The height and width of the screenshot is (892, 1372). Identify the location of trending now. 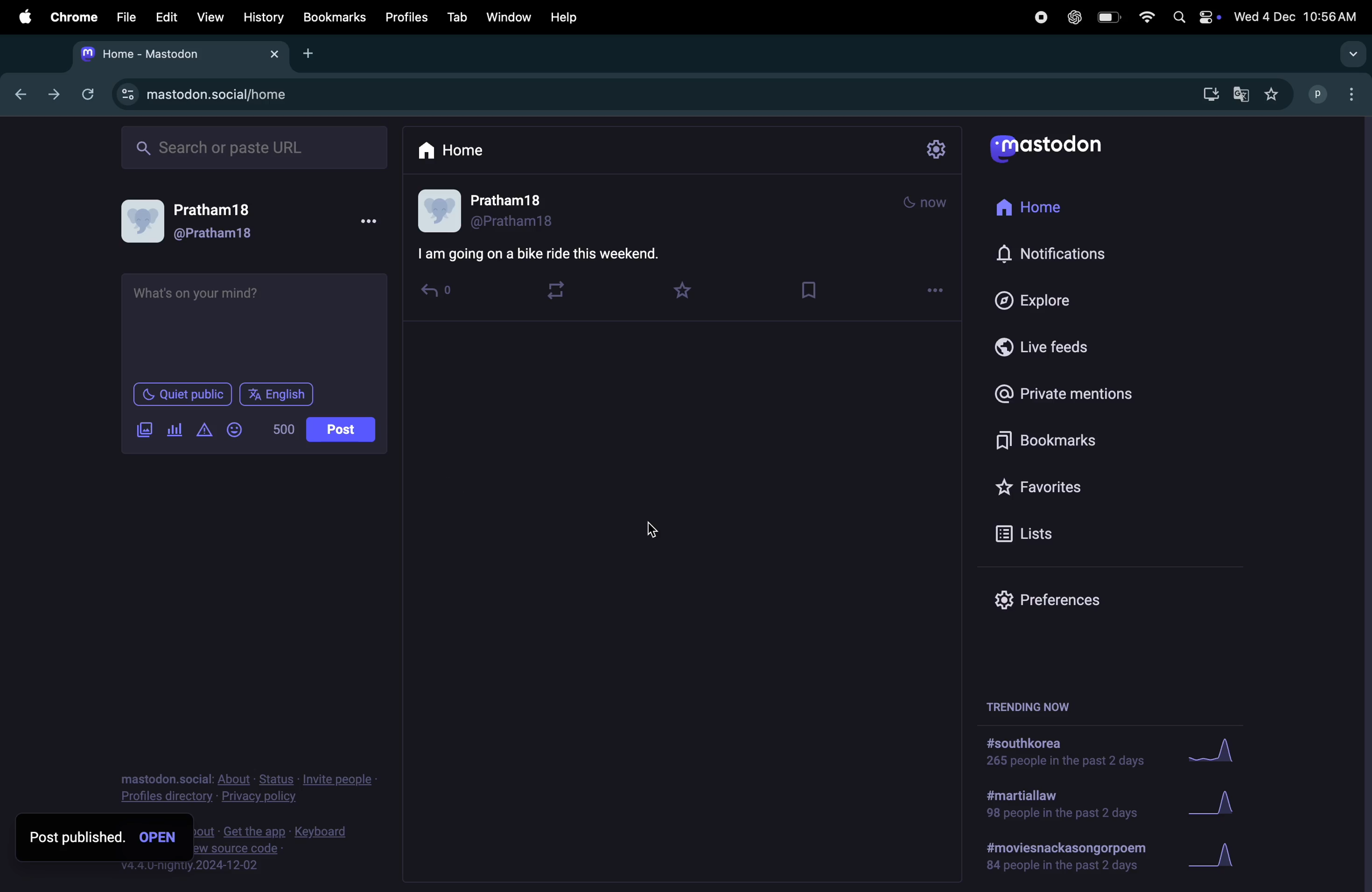
(1032, 705).